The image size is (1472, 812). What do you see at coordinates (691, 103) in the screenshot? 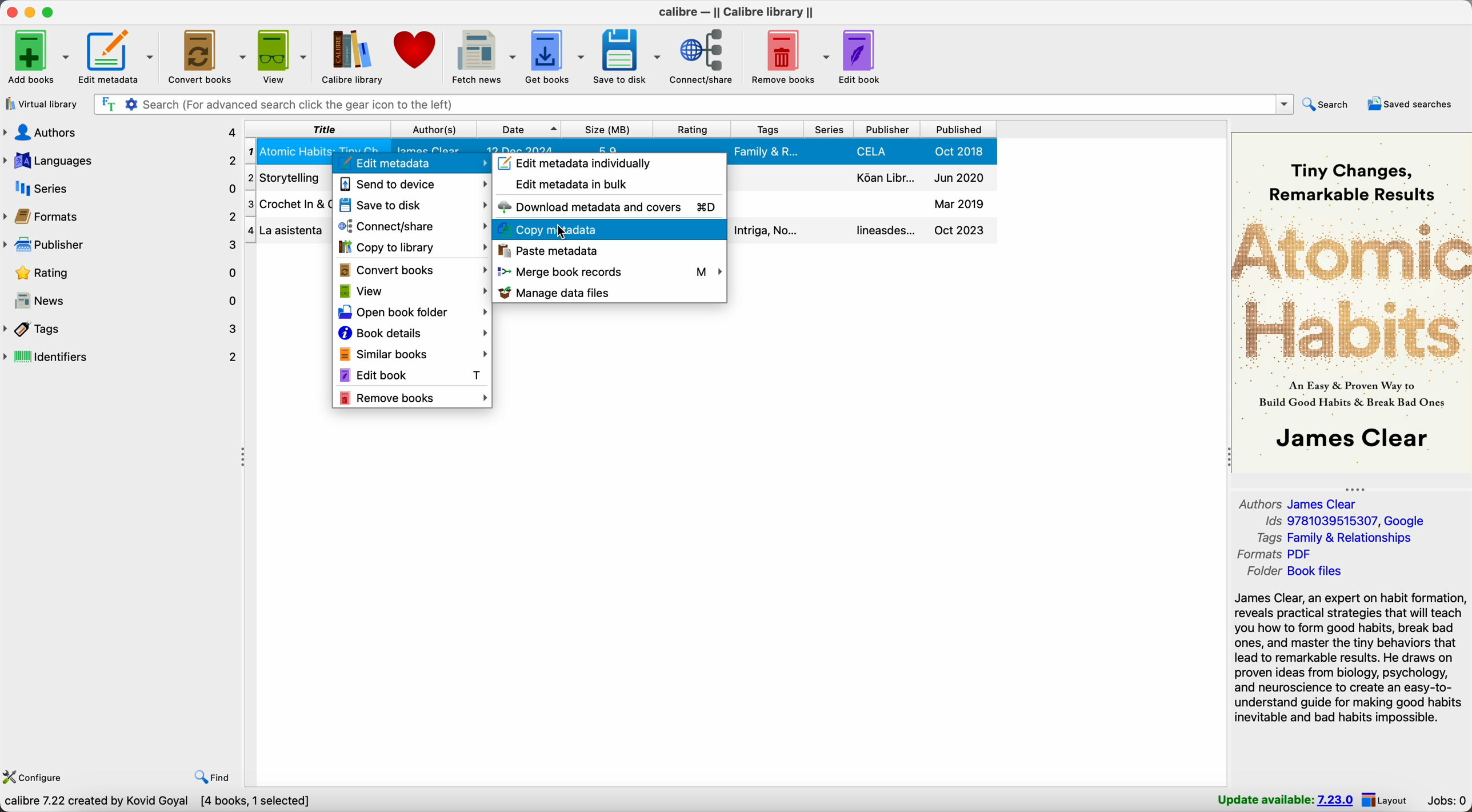
I see `search bar` at bounding box center [691, 103].